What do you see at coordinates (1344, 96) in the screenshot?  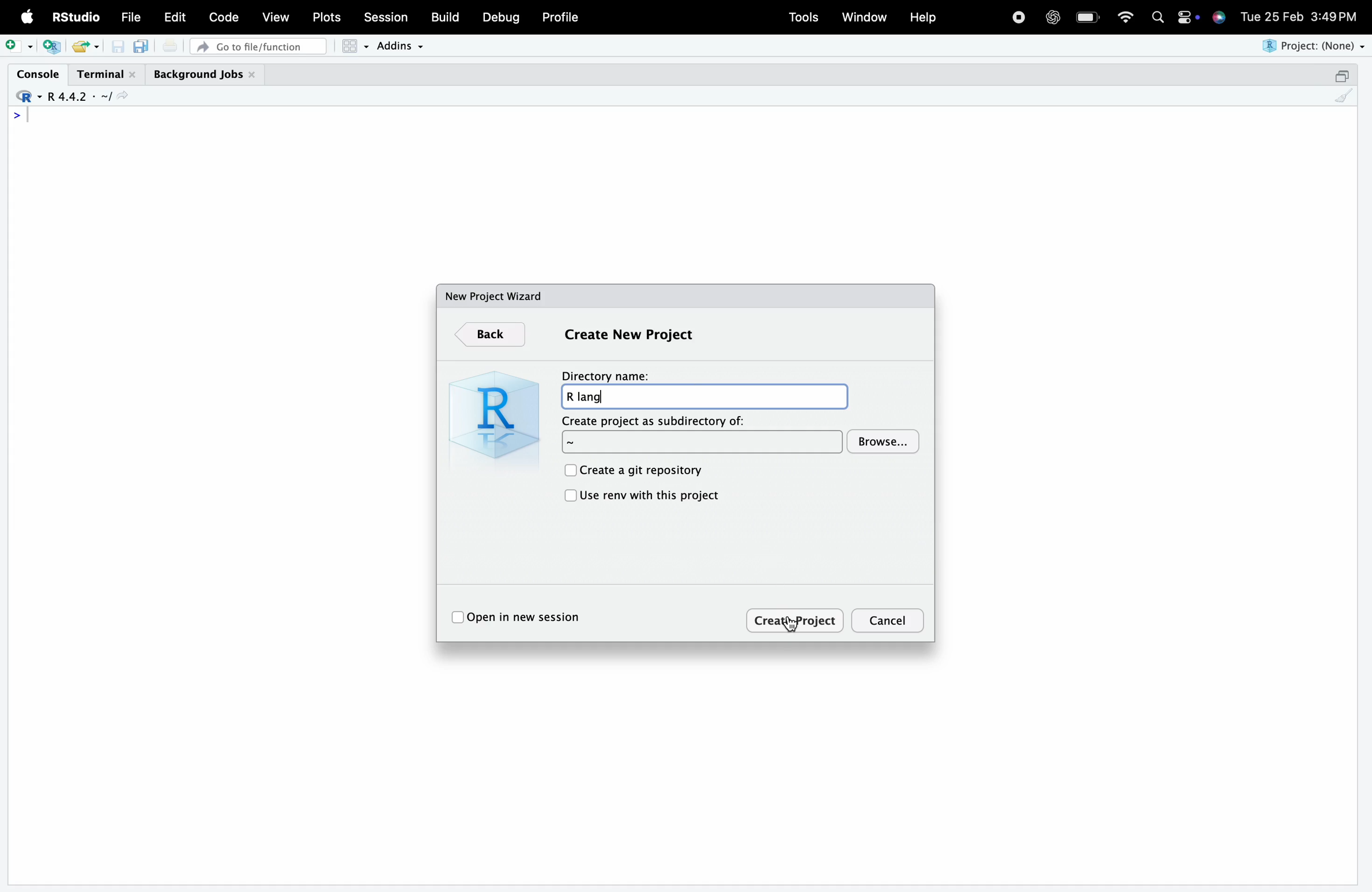 I see `clear console` at bounding box center [1344, 96].